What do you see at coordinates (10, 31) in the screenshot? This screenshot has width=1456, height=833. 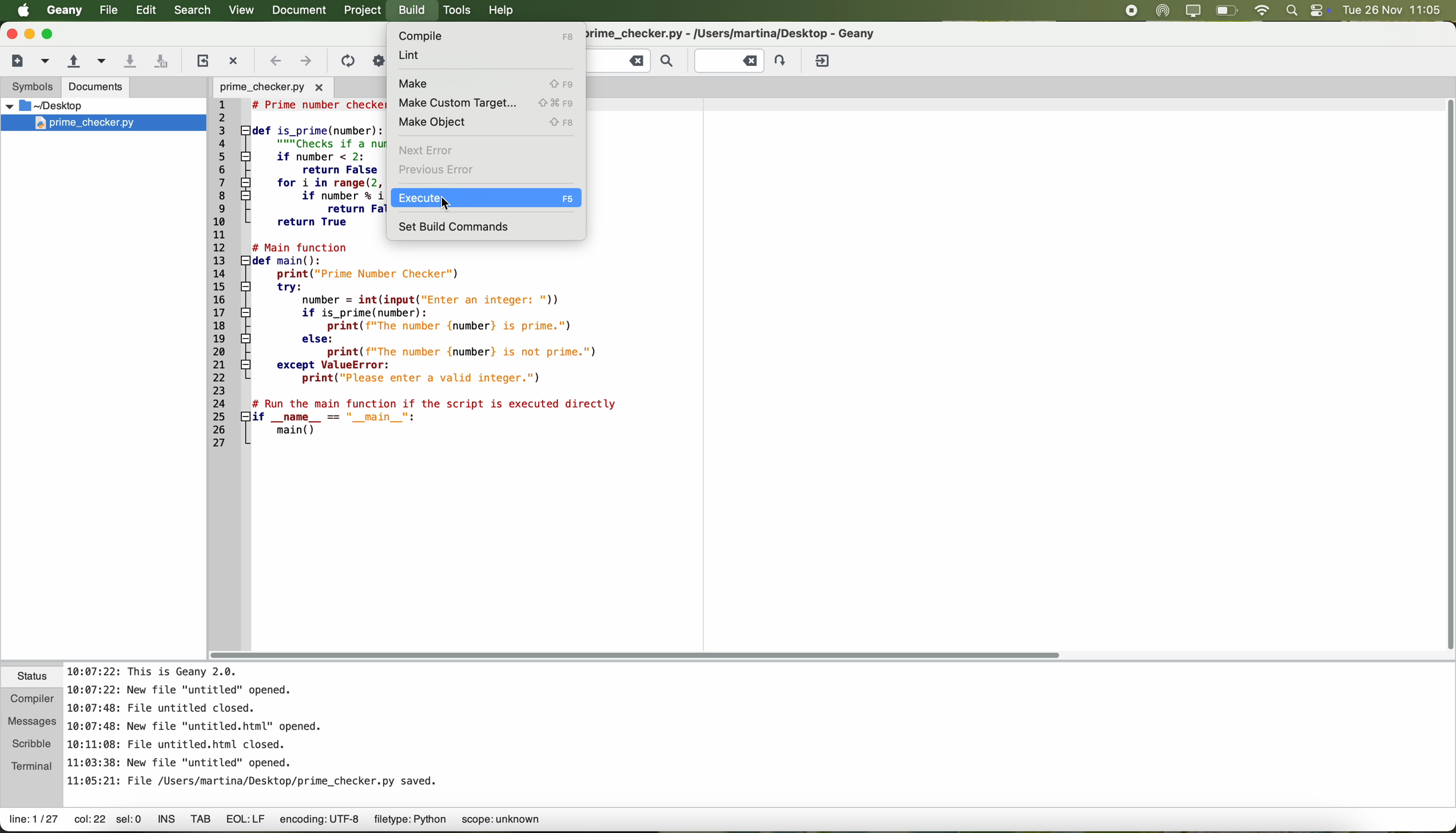 I see `close Geany` at bounding box center [10, 31].